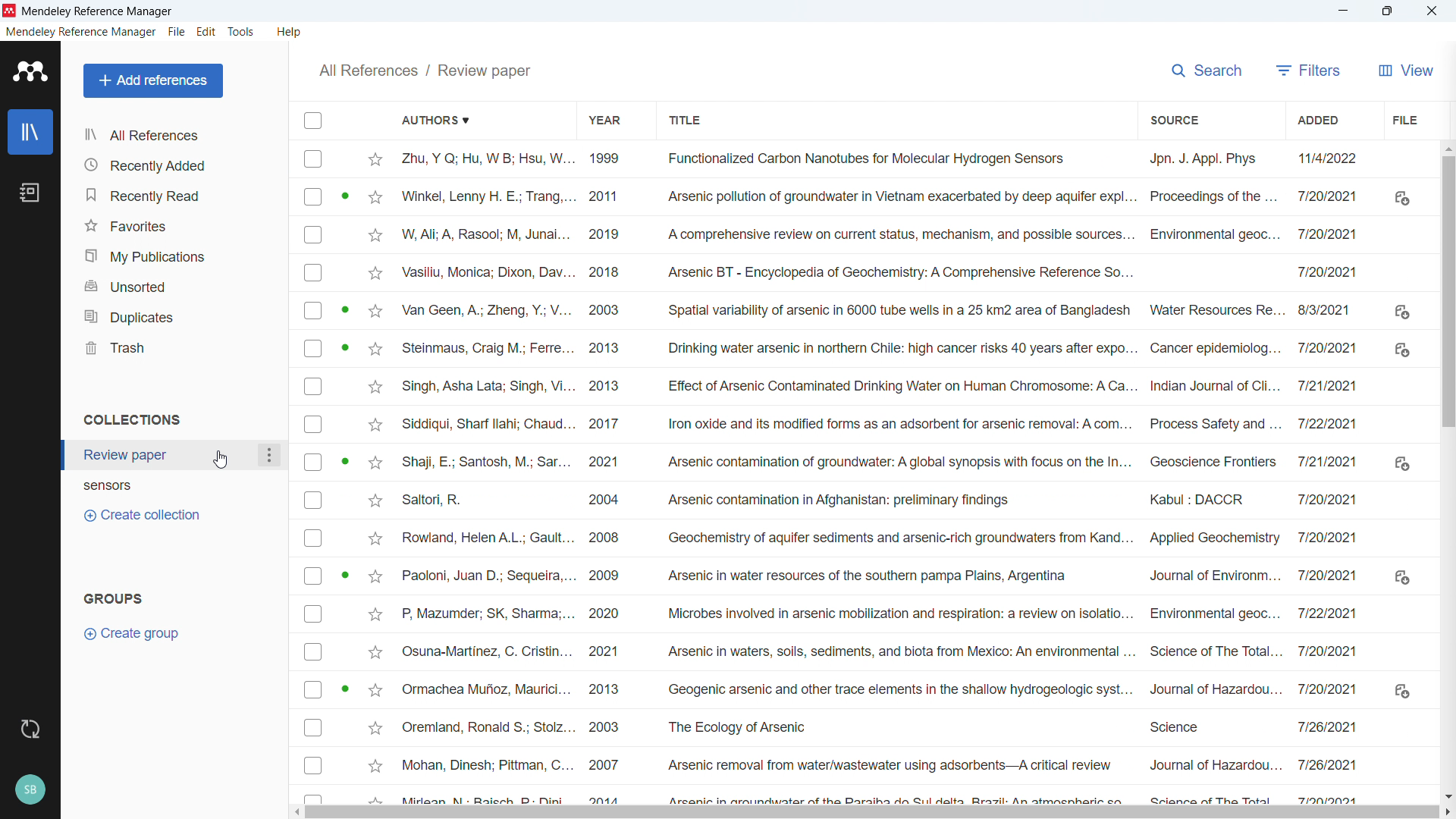 Image resolution: width=1456 pixels, height=819 pixels. What do you see at coordinates (896, 475) in the screenshot?
I see `Title of individual entries ` at bounding box center [896, 475].